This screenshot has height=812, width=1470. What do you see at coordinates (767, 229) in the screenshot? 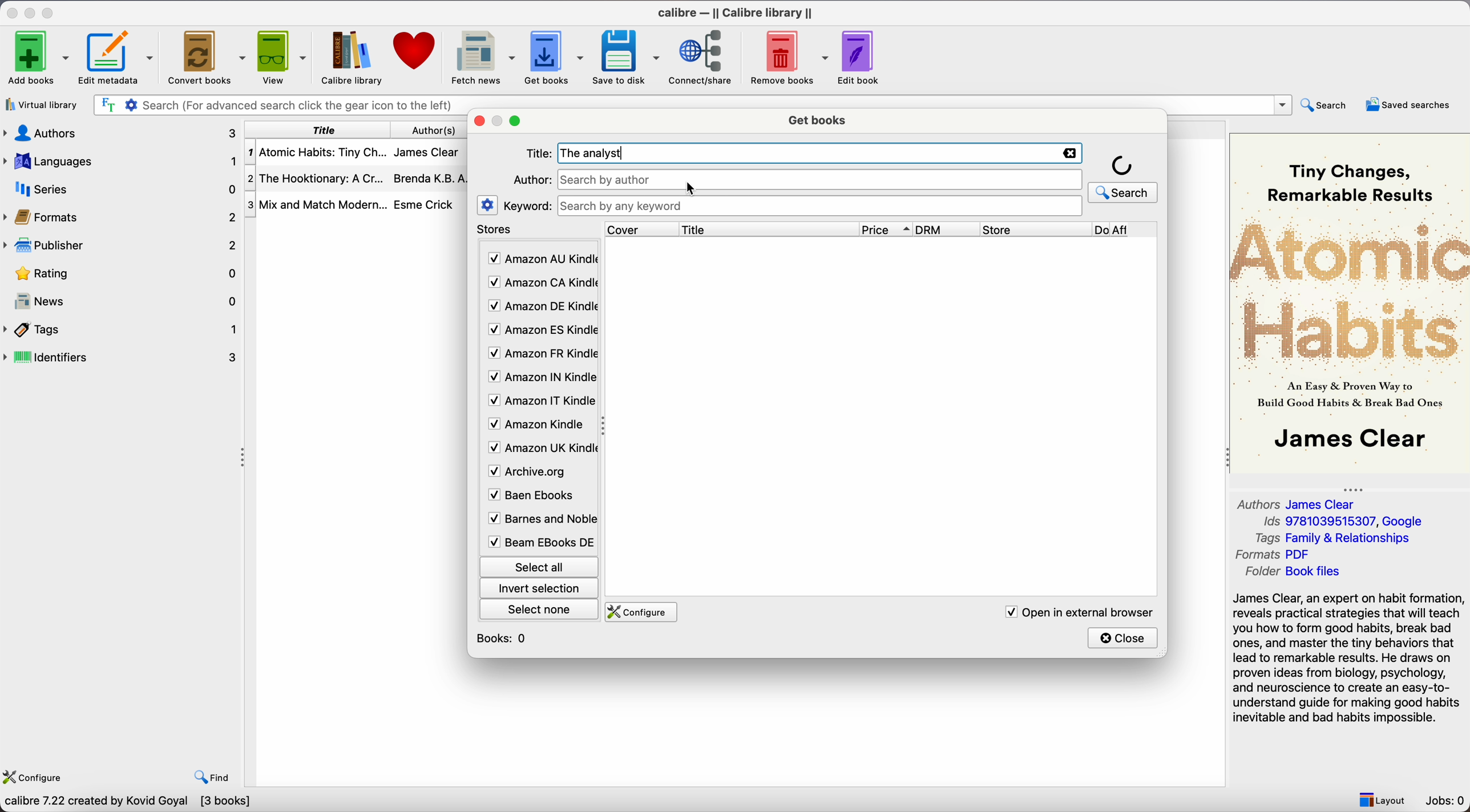
I see `title` at bounding box center [767, 229].